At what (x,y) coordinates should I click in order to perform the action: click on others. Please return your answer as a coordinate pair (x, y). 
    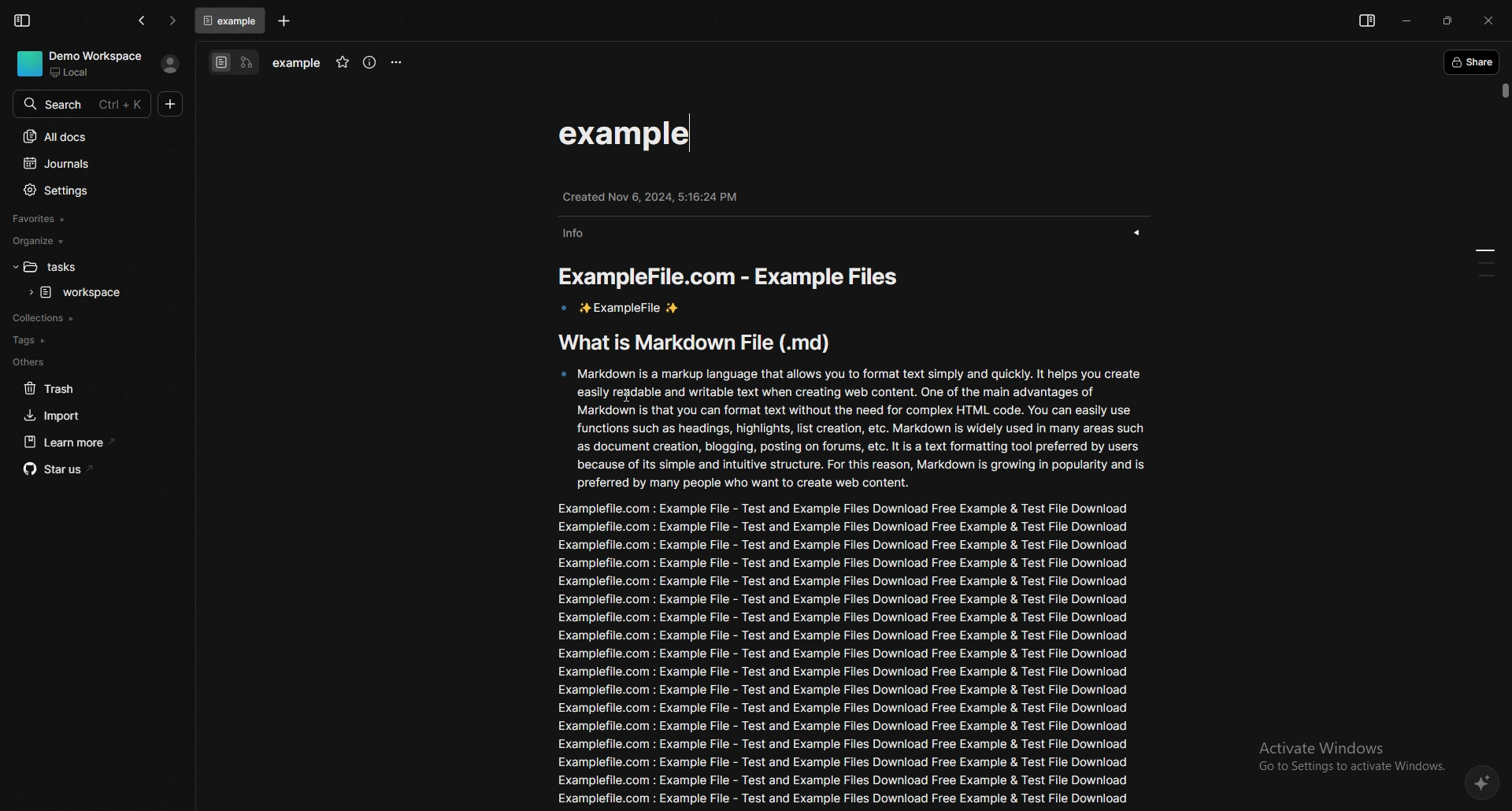
    Looking at the image, I should click on (89, 362).